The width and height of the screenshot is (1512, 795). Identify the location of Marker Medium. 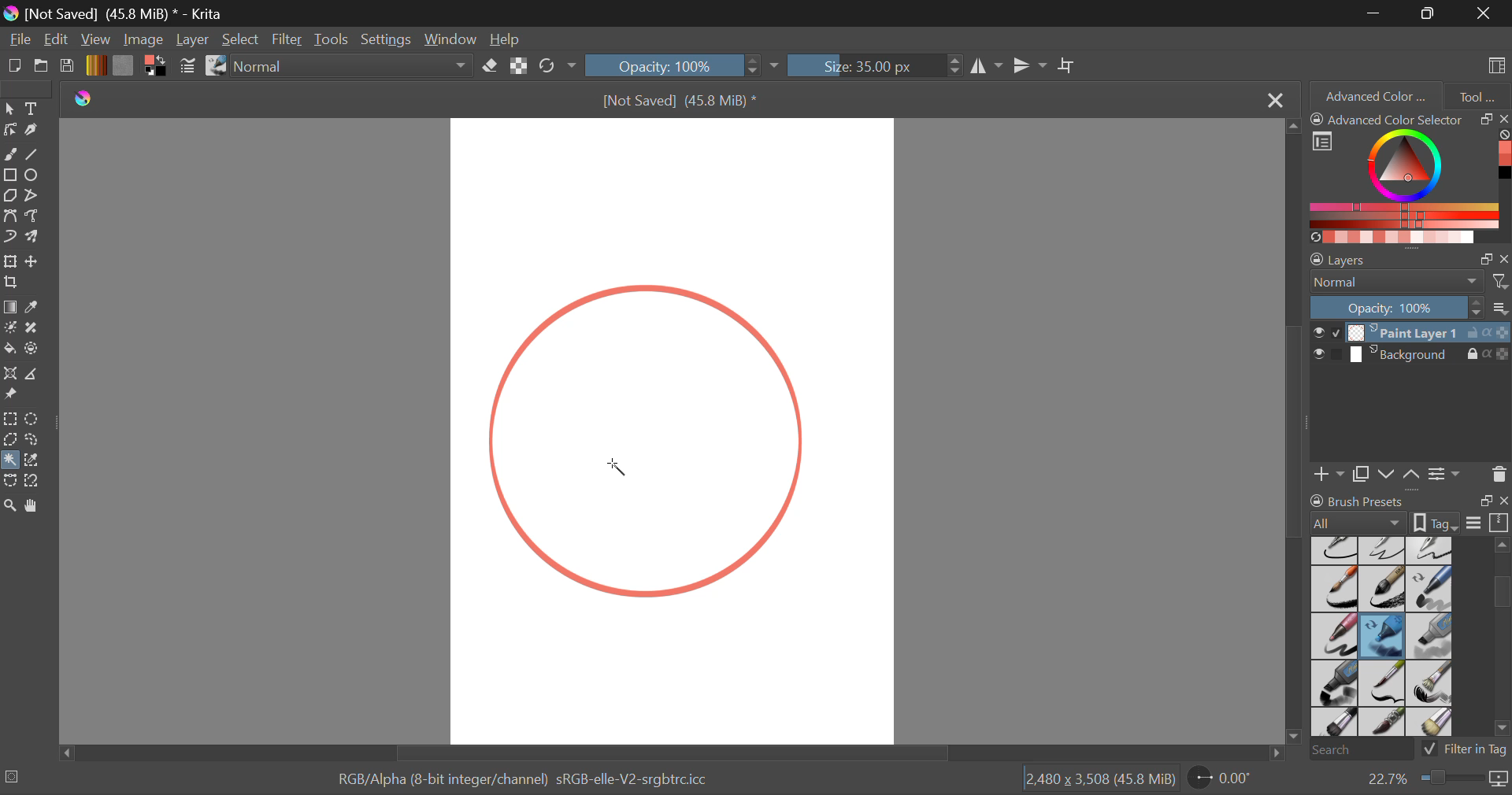
(1431, 636).